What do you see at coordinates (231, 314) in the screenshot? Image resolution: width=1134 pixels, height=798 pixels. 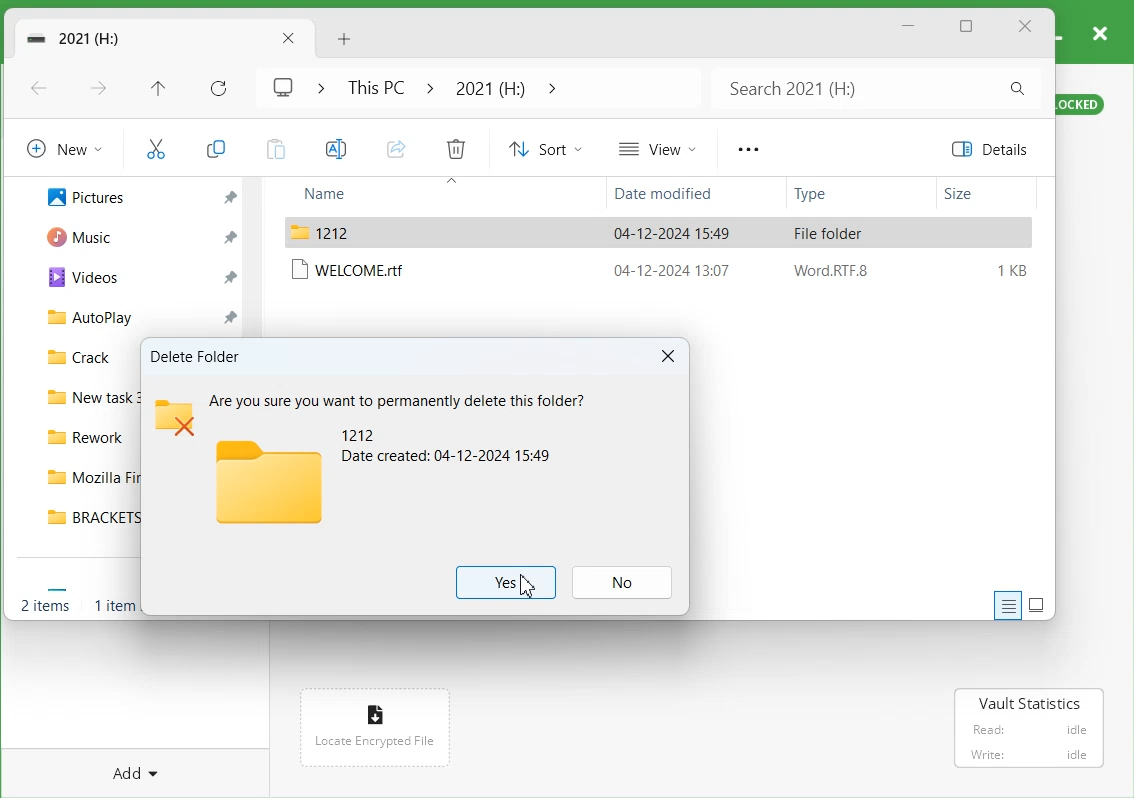 I see `Pin a file` at bounding box center [231, 314].